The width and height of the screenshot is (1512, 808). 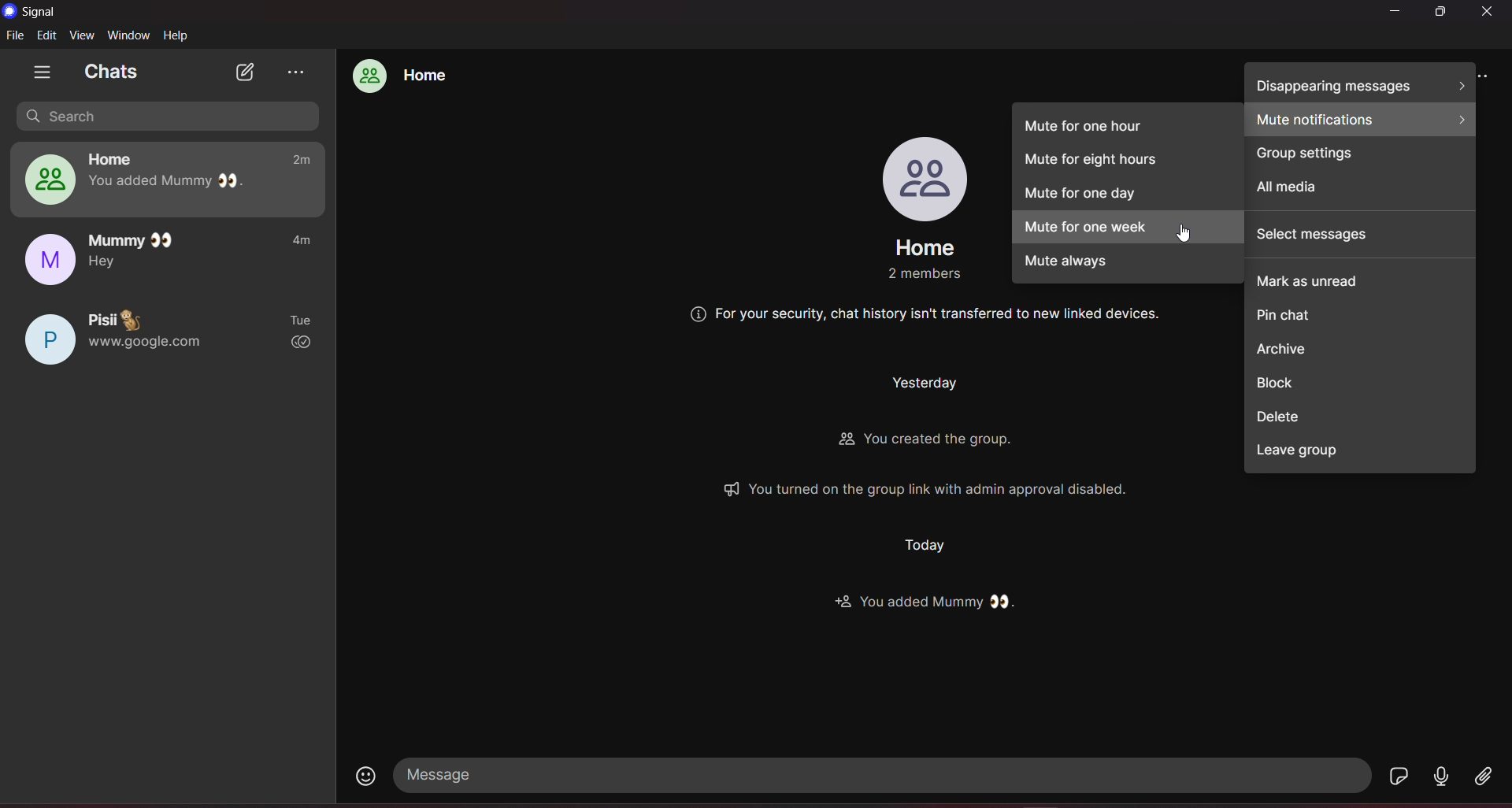 I want to click on block, so click(x=1358, y=389).